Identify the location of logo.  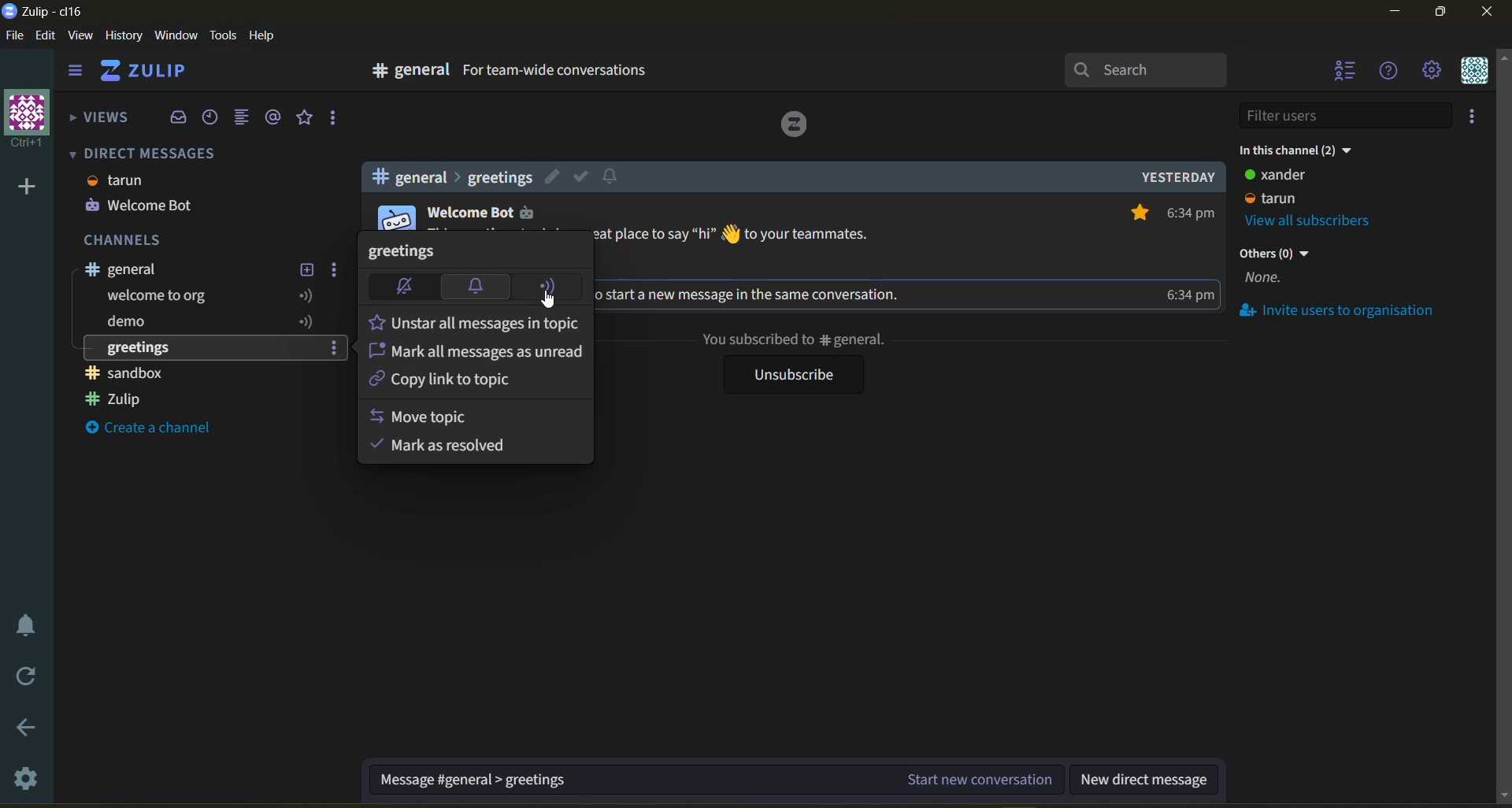
(795, 127).